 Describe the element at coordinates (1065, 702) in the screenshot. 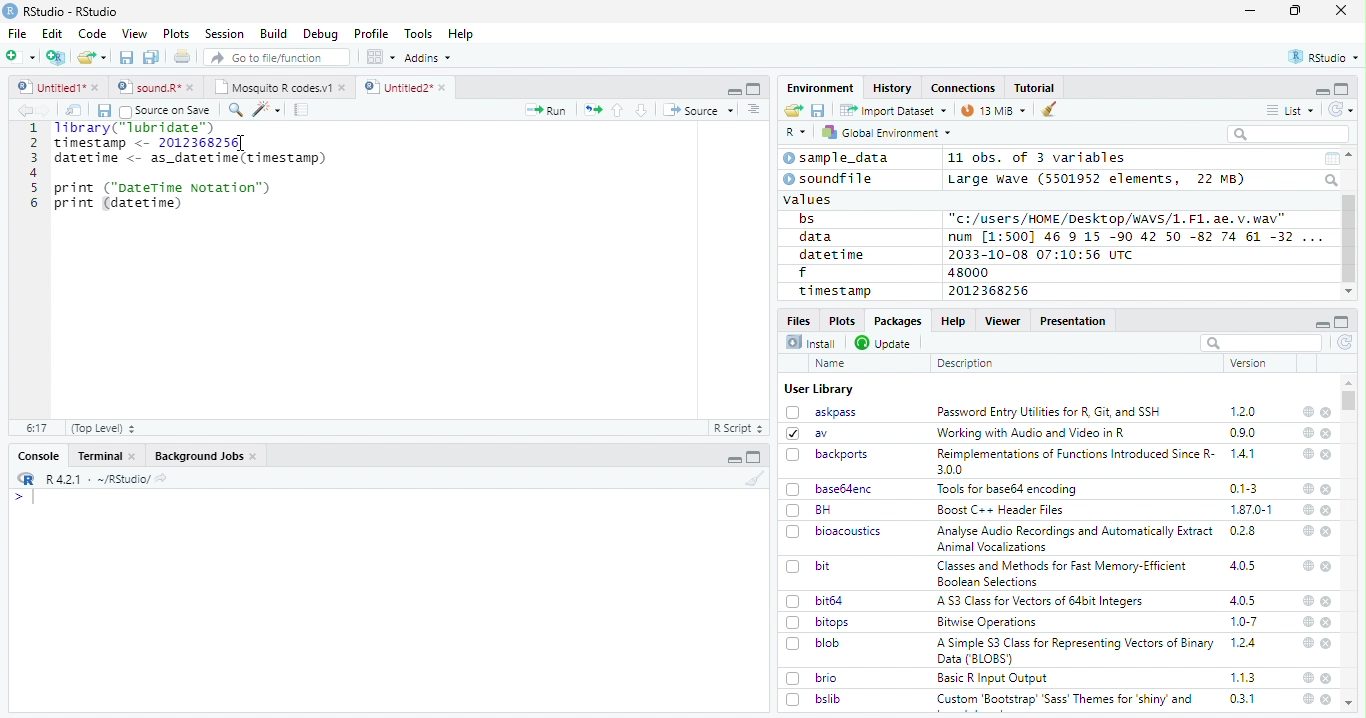

I see `Custom ‘Bootstrap’ ‘Sass’ Themes for ‘shiny’ and` at that location.